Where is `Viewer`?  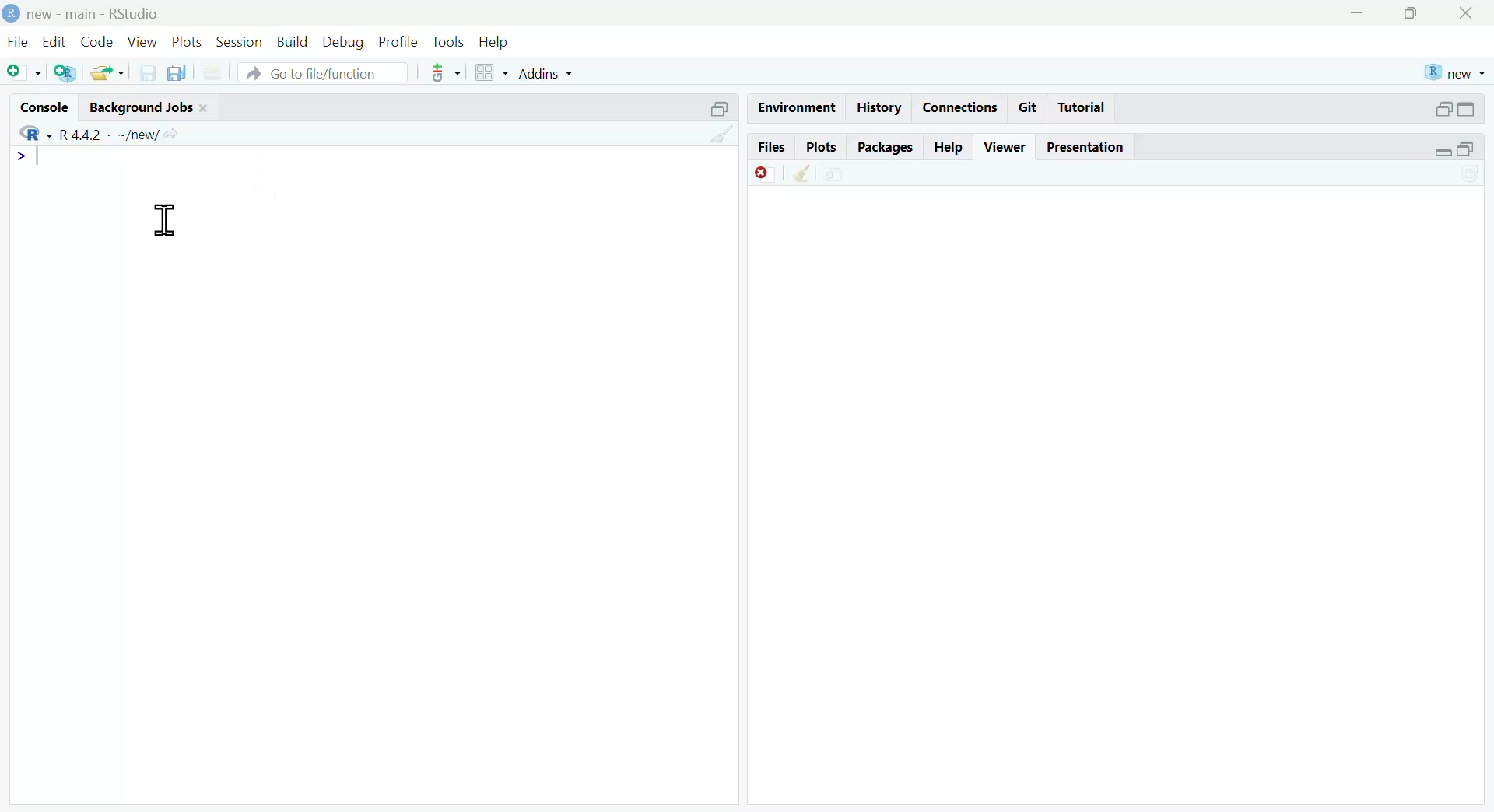
Viewer is located at coordinates (1005, 146).